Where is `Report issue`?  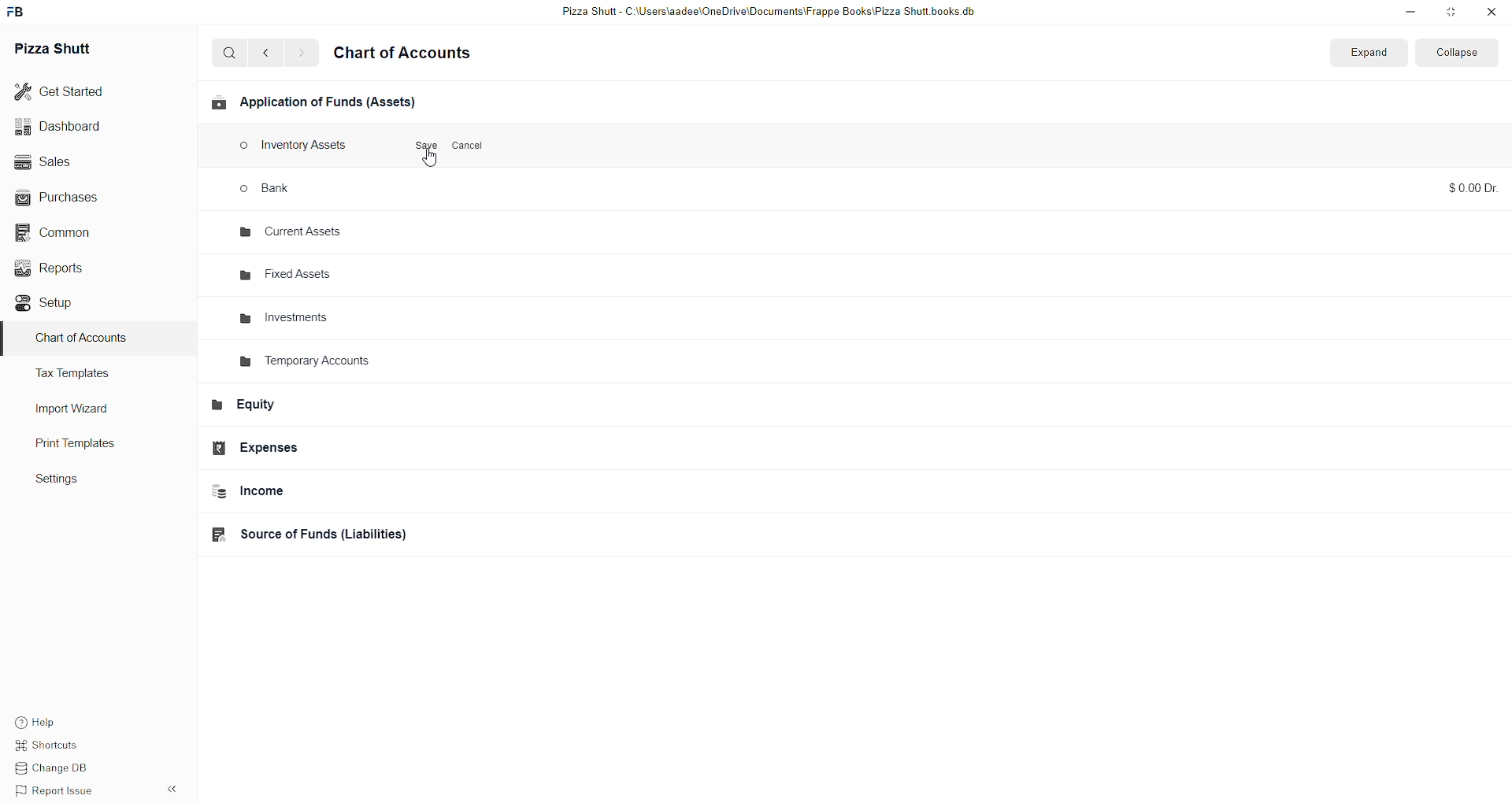
Report issue is located at coordinates (56, 793).